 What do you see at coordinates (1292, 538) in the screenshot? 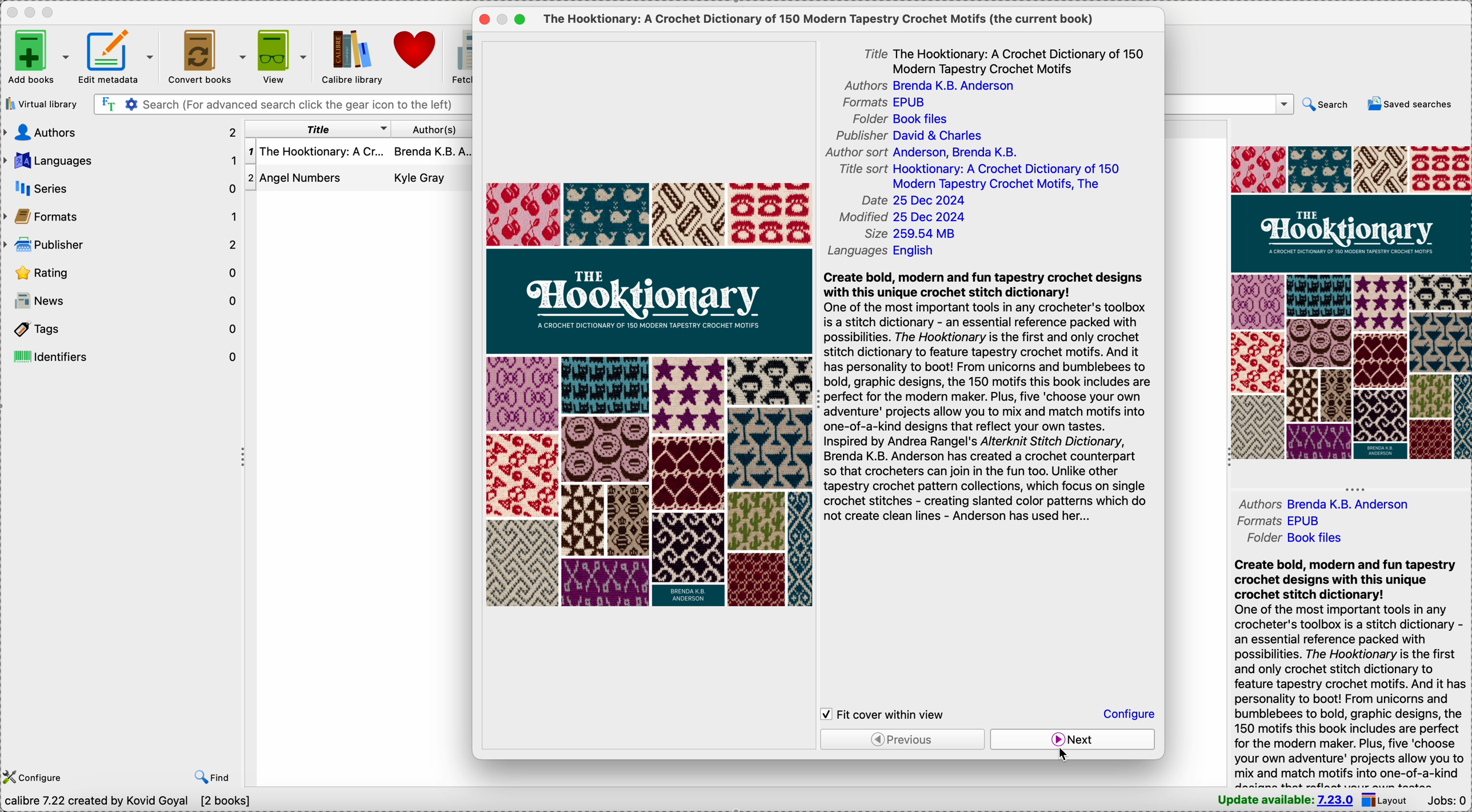
I see `folder` at bounding box center [1292, 538].